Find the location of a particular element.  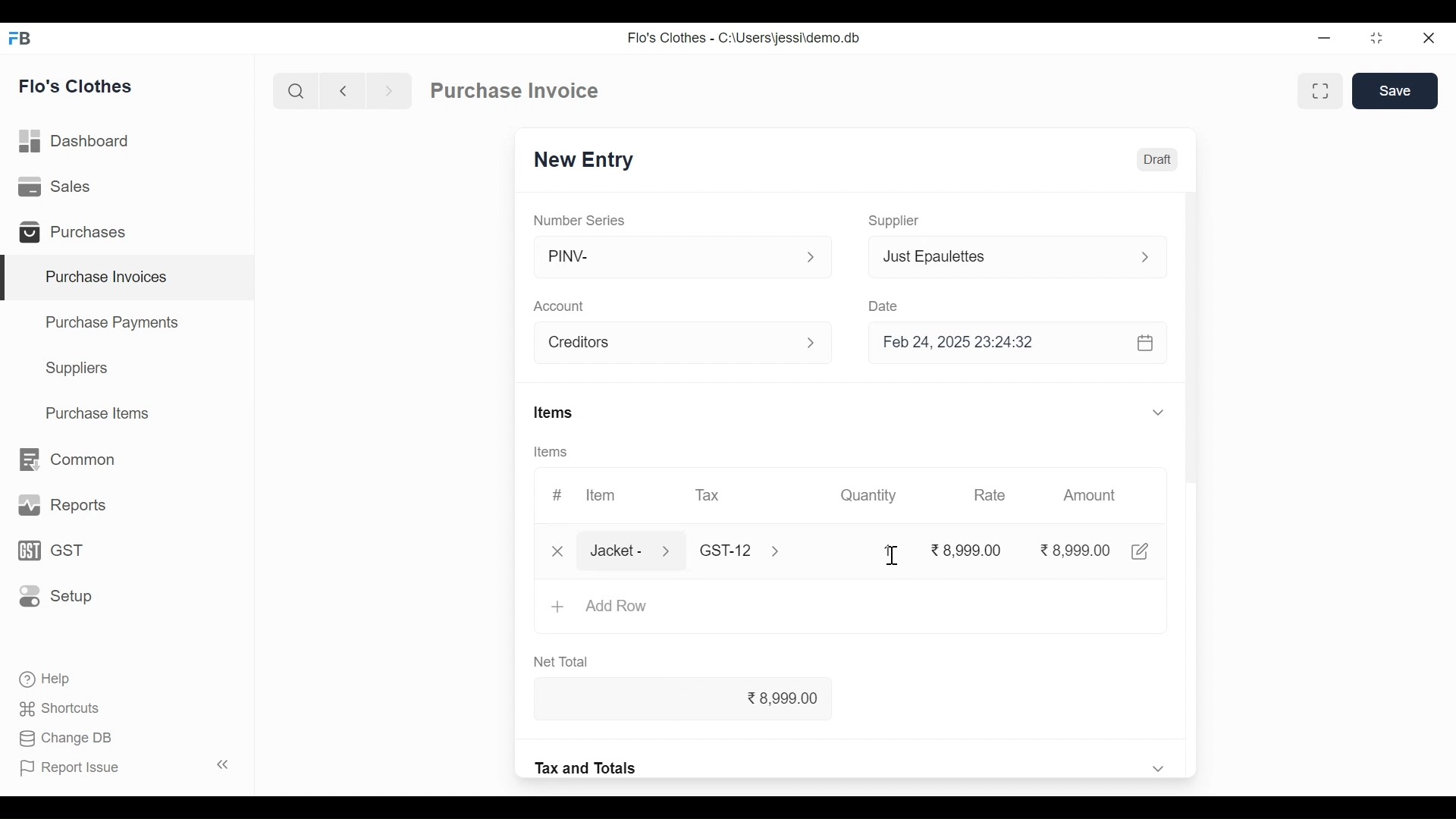

Tax is located at coordinates (712, 496).